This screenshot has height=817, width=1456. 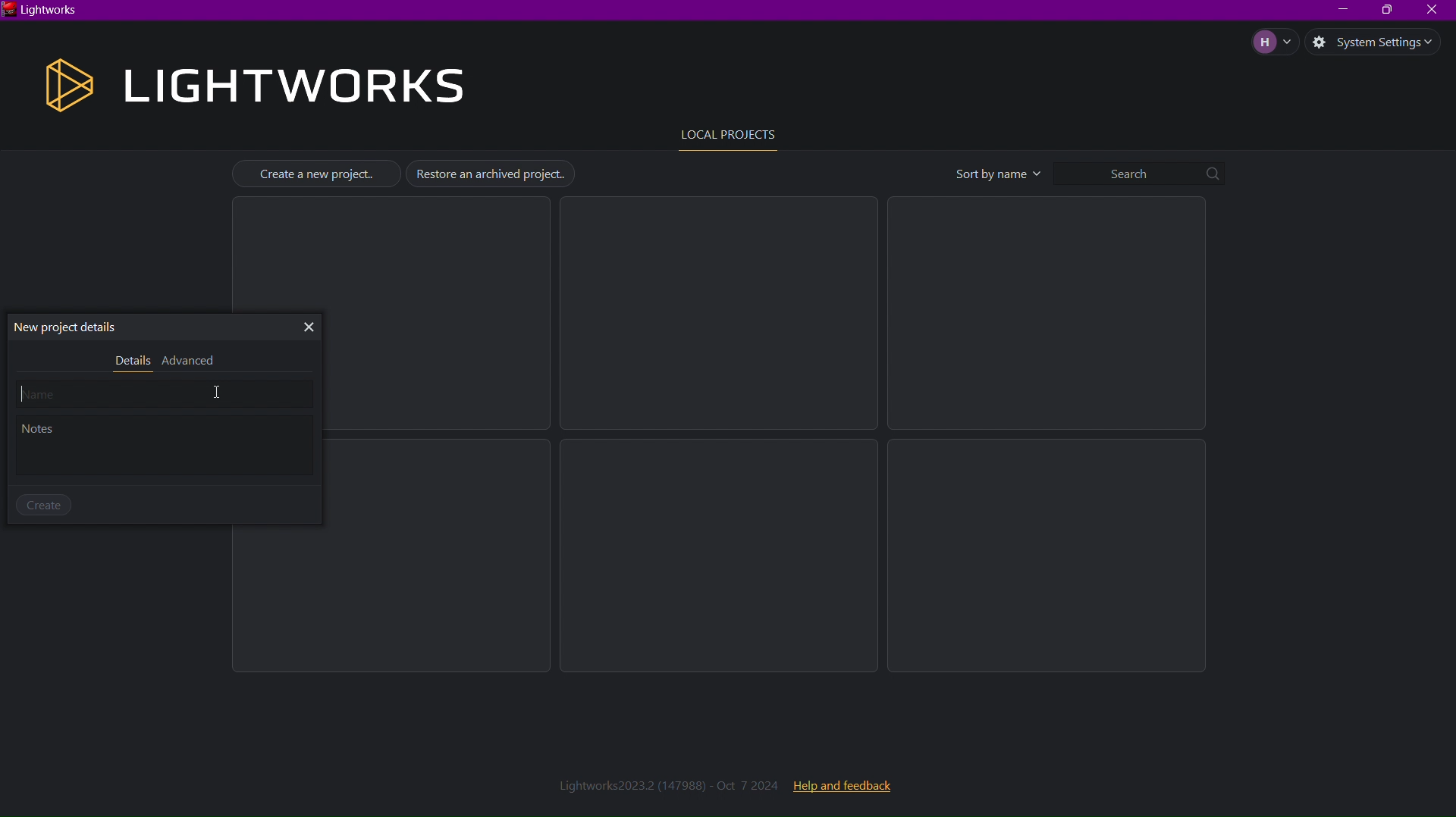 What do you see at coordinates (130, 362) in the screenshot?
I see `Details` at bounding box center [130, 362].